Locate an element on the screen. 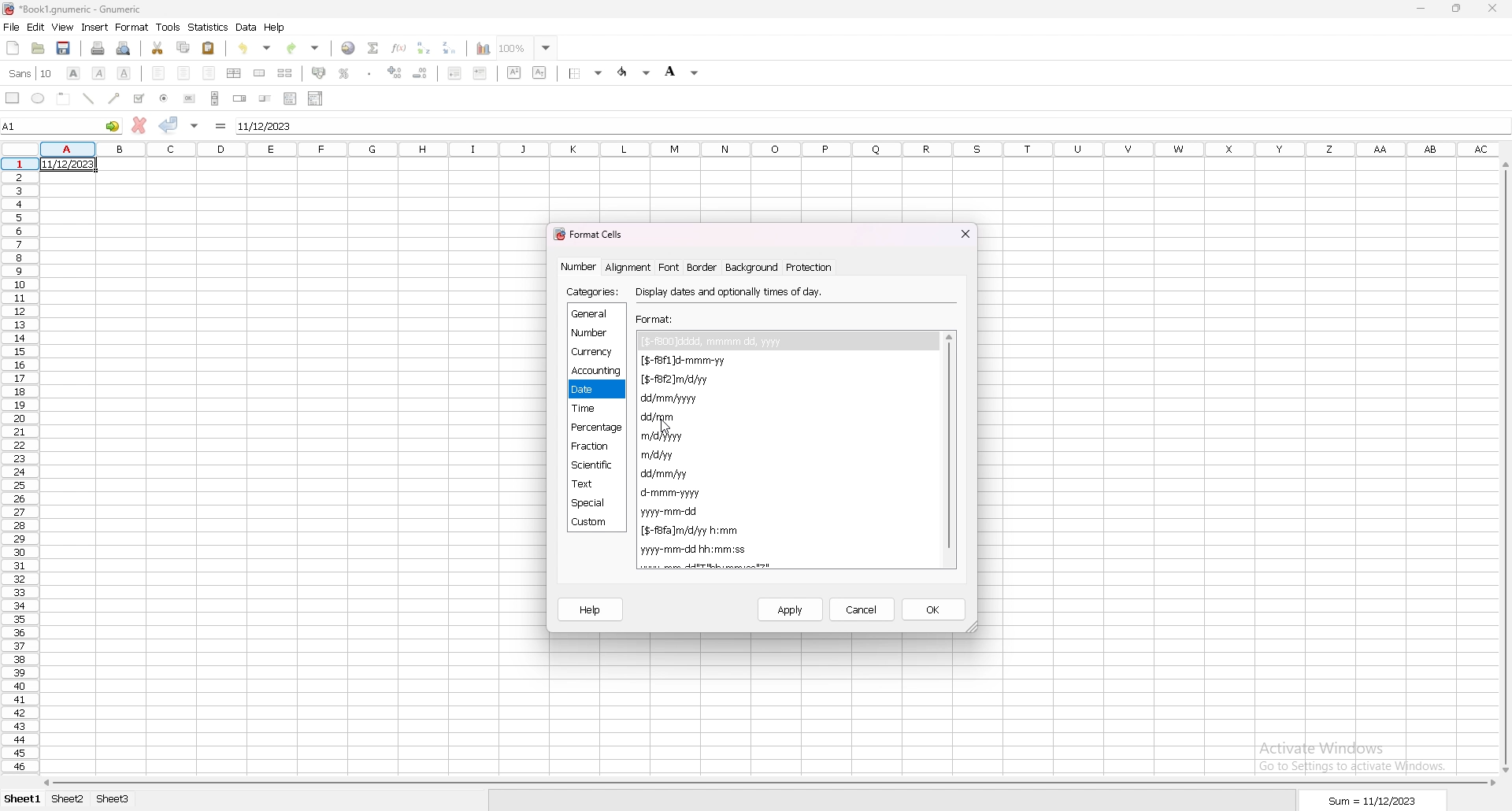 This screenshot has height=811, width=1512. view is located at coordinates (61, 28).